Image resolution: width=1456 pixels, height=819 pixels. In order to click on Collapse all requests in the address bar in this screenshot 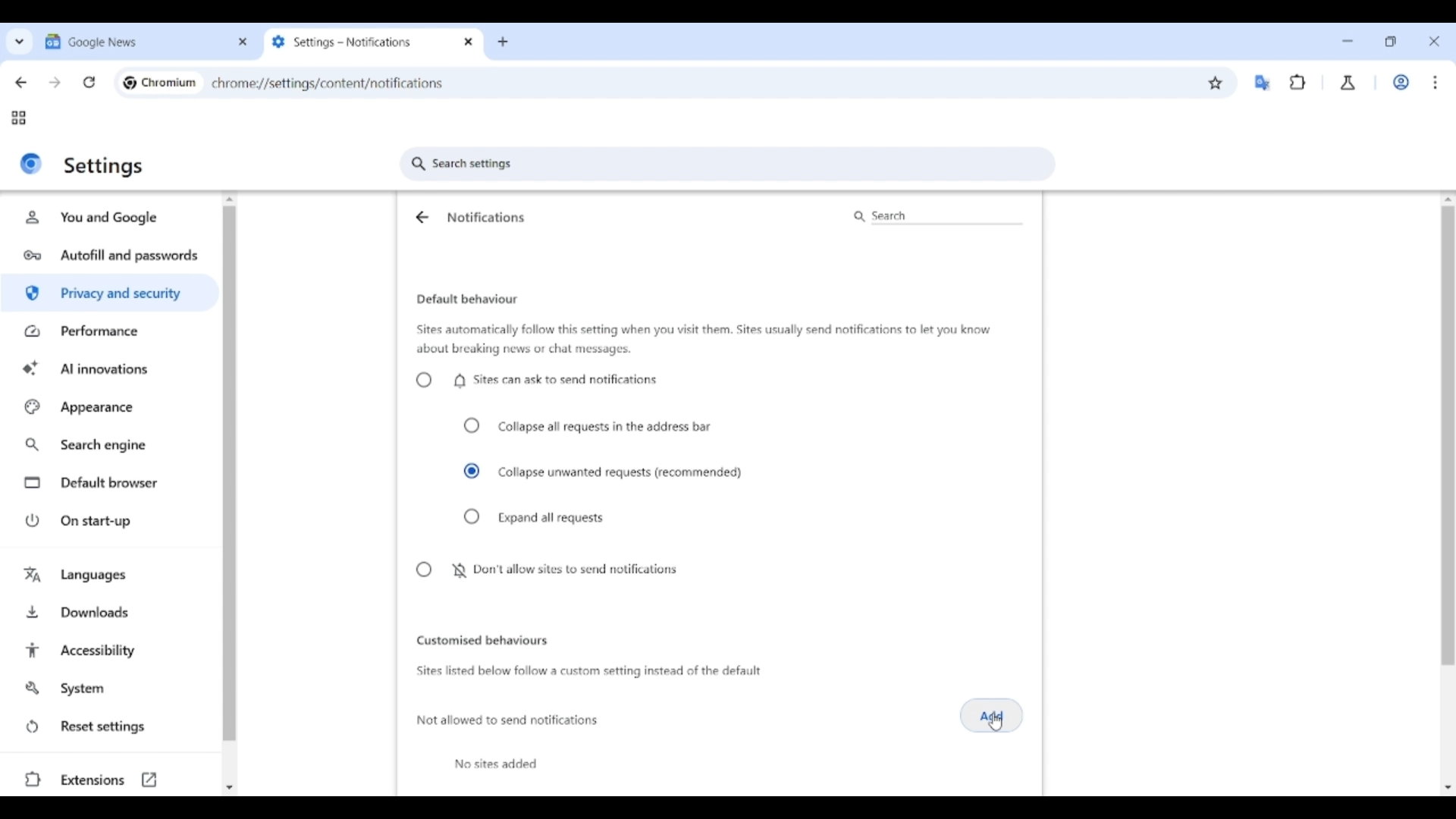, I will do `click(588, 426)`.